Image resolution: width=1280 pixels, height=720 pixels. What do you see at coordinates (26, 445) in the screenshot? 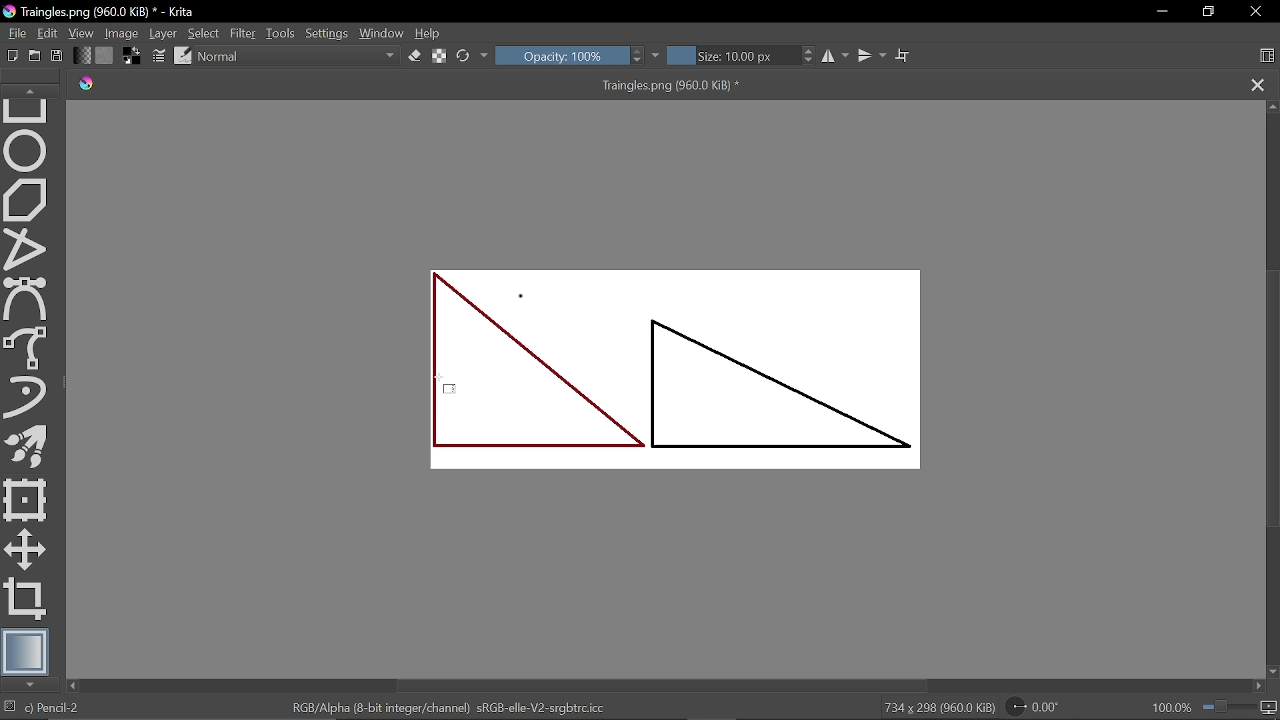
I see `Multibrush tool` at bounding box center [26, 445].